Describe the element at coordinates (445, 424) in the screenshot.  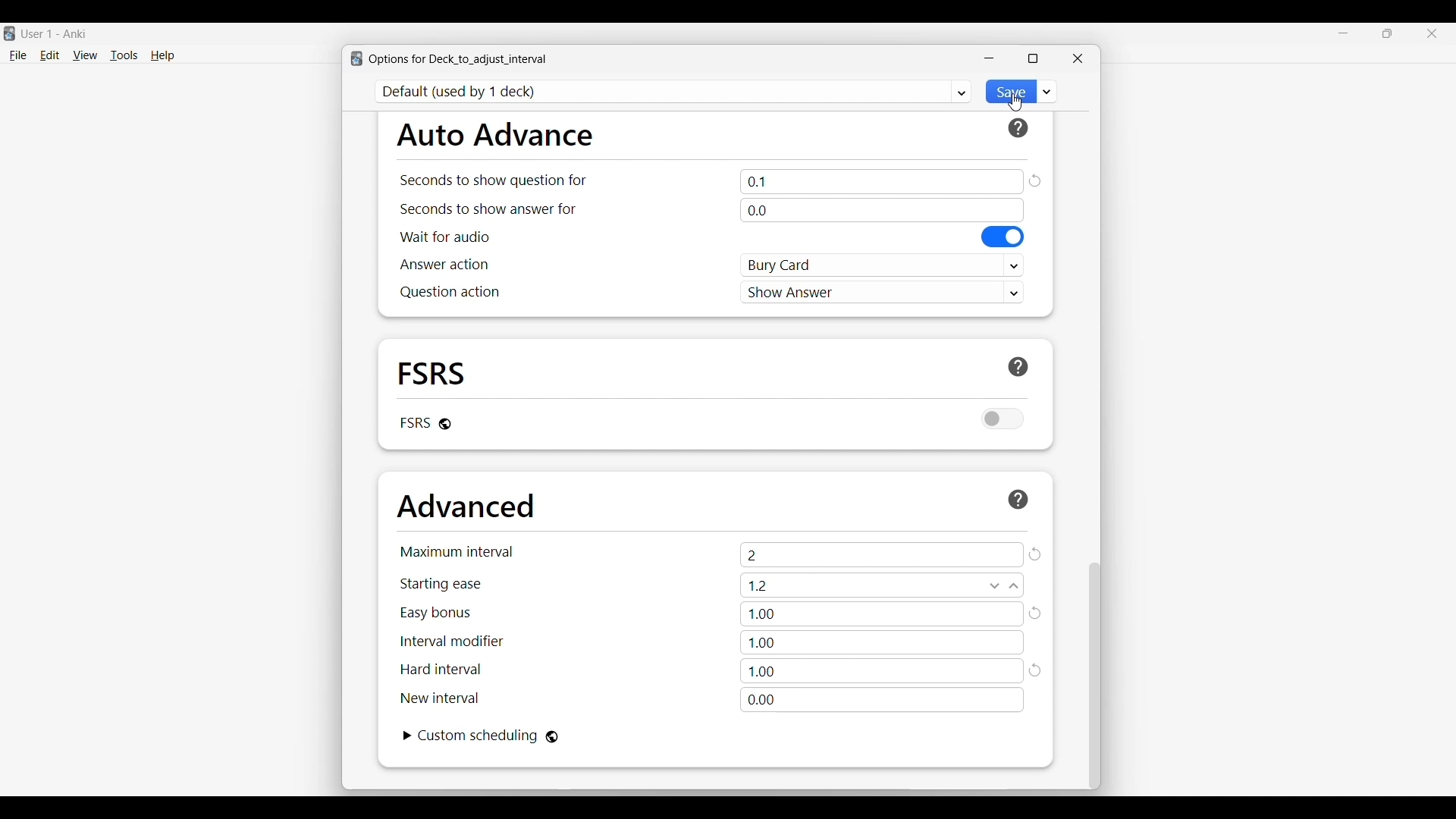
I see `Affects the entire collection` at that location.